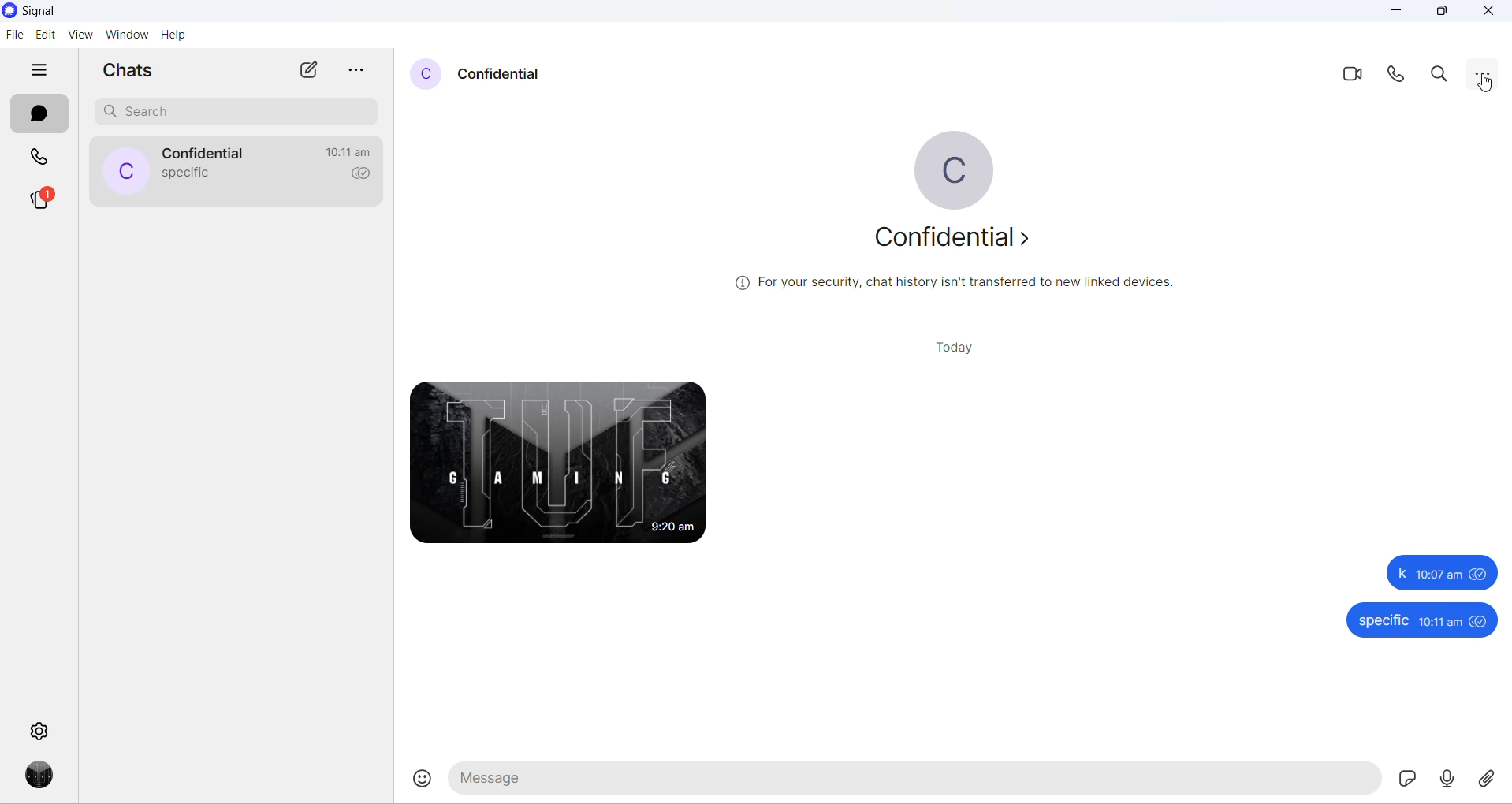 This screenshot has height=804, width=1512. Describe the element at coordinates (1483, 71) in the screenshot. I see `more options` at that location.